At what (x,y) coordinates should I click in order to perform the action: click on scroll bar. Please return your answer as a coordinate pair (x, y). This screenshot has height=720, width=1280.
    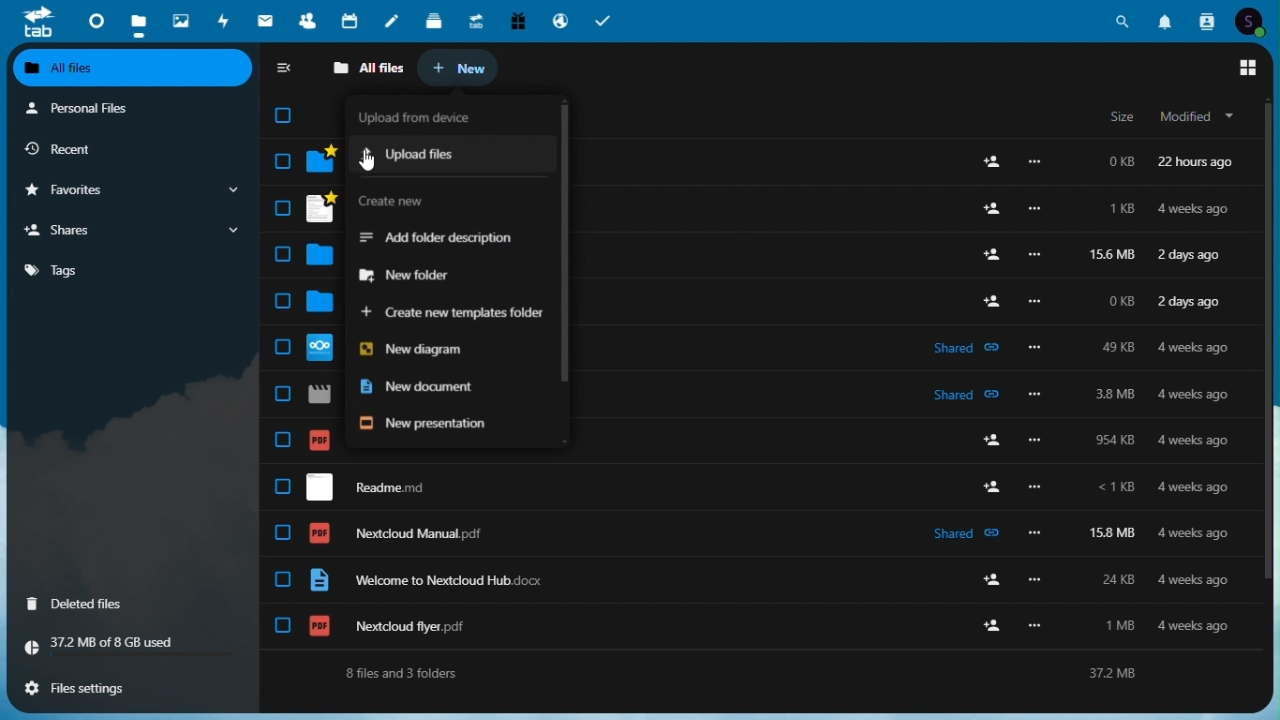
    Looking at the image, I should click on (1266, 345).